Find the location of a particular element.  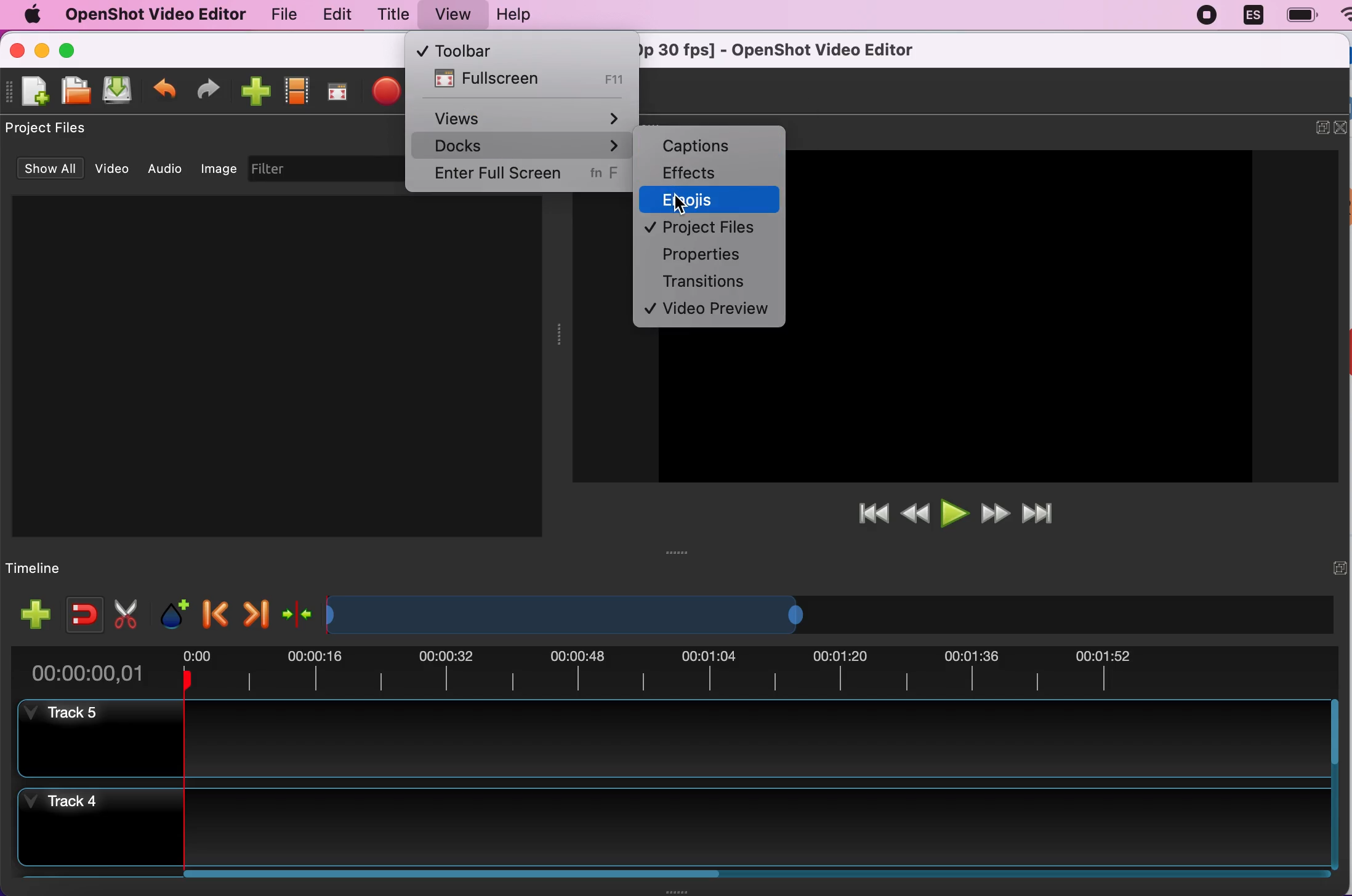

docks is located at coordinates (526, 146).